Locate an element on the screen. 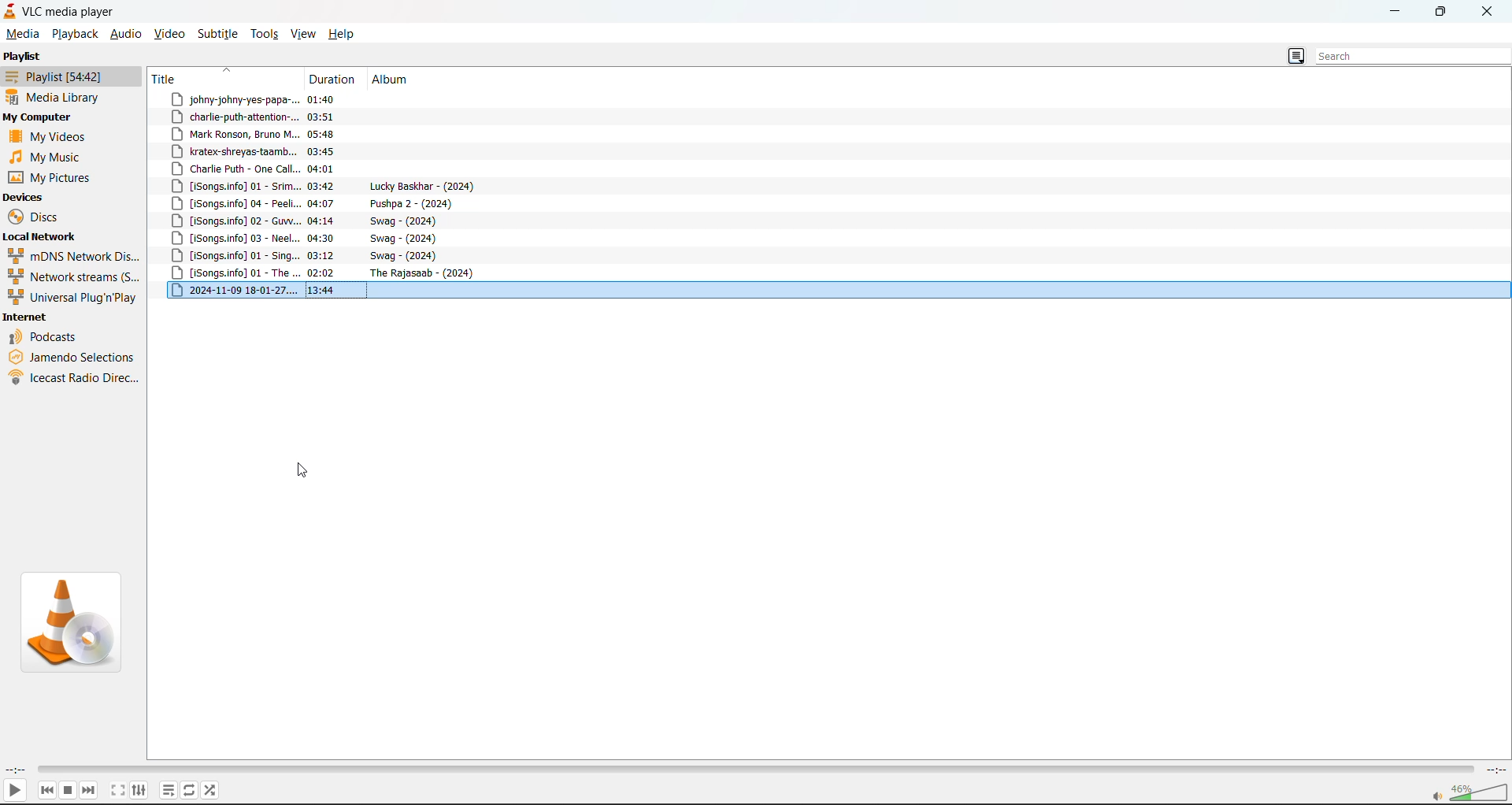 Image resolution: width=1512 pixels, height=805 pixels. podcasts is located at coordinates (45, 338).